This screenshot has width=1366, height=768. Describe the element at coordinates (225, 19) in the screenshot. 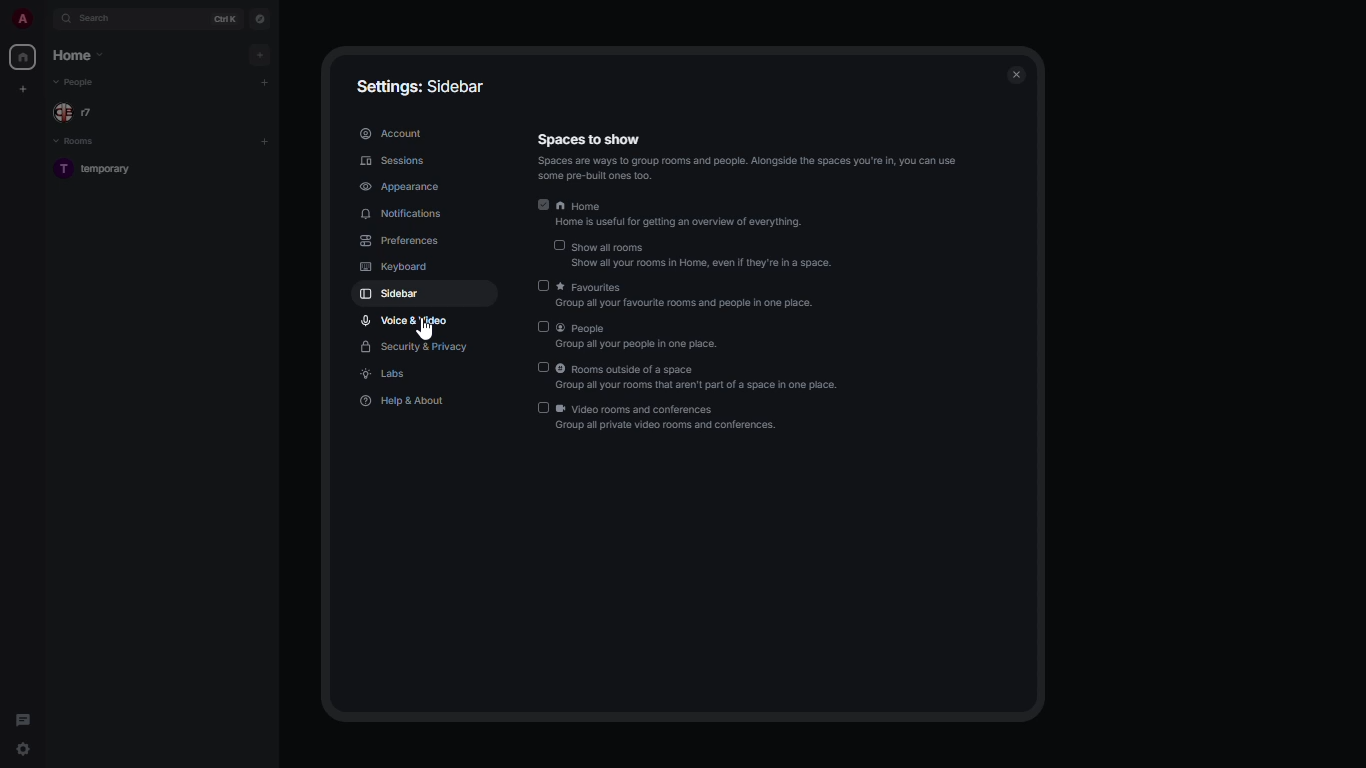

I see `ctrl K` at that location.